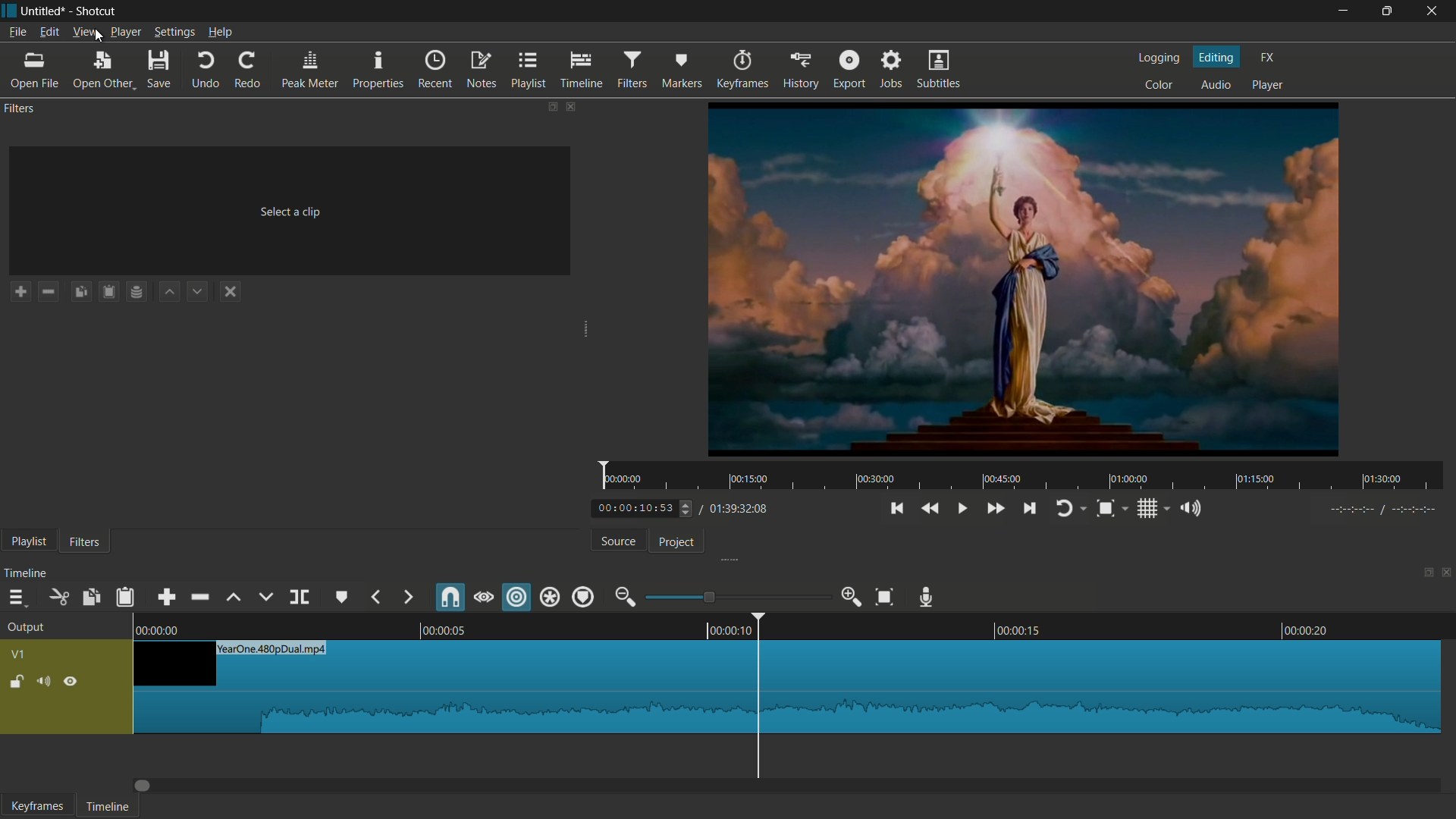 The height and width of the screenshot is (819, 1456). Describe the element at coordinates (26, 628) in the screenshot. I see `output` at that location.